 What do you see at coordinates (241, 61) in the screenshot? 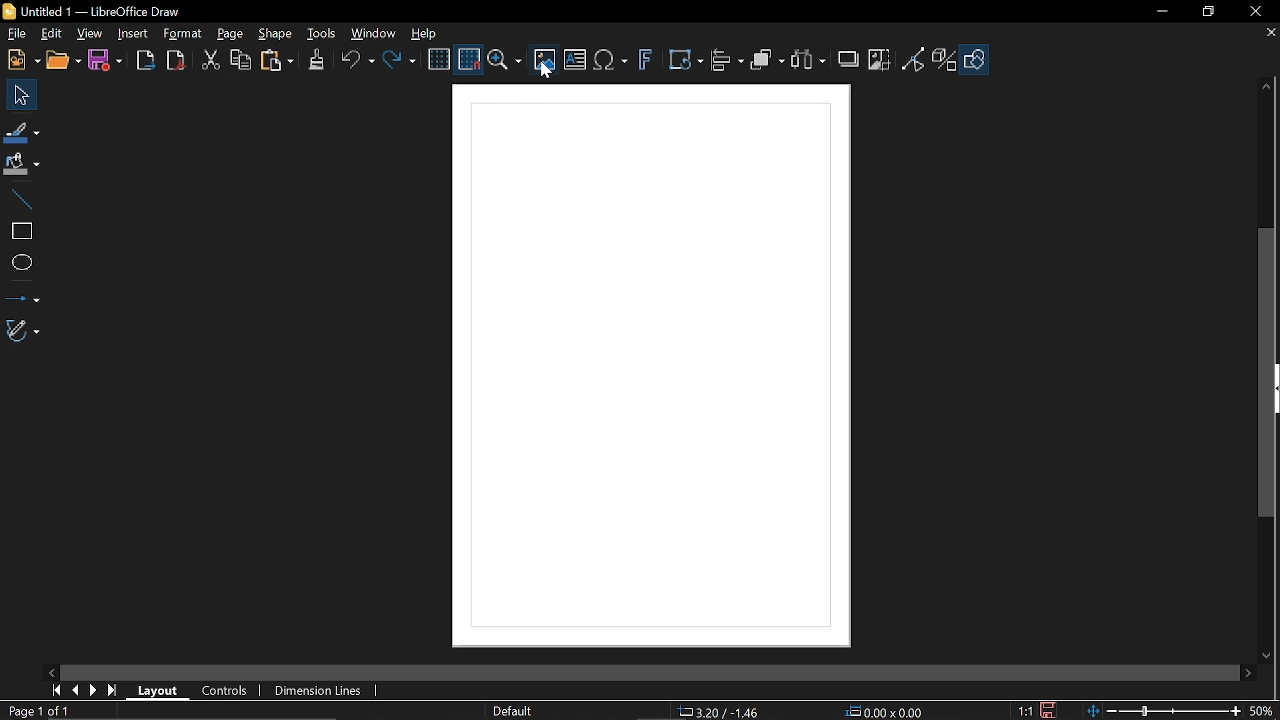
I see `Copy` at bounding box center [241, 61].